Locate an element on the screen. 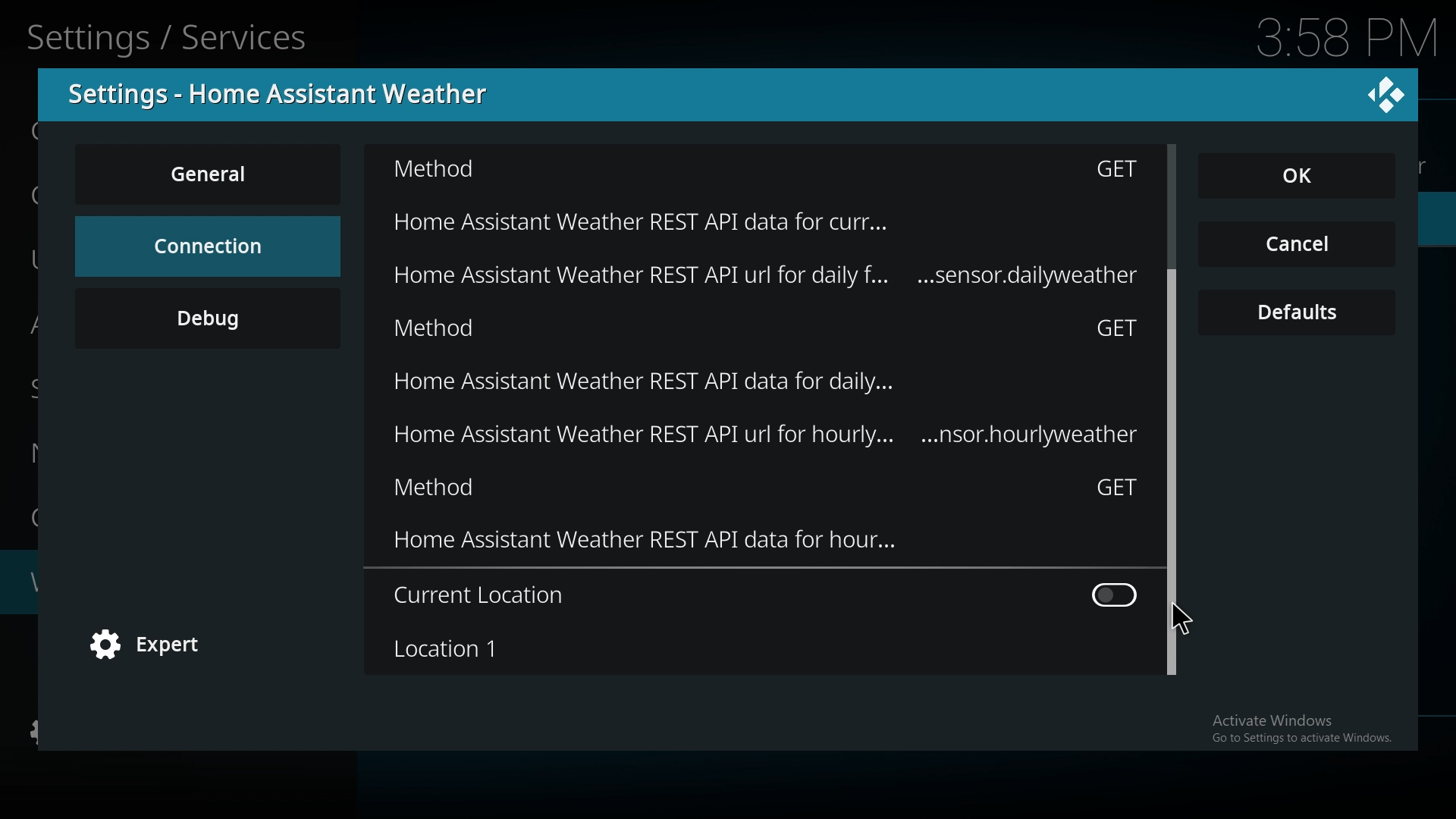  method is located at coordinates (769, 331).